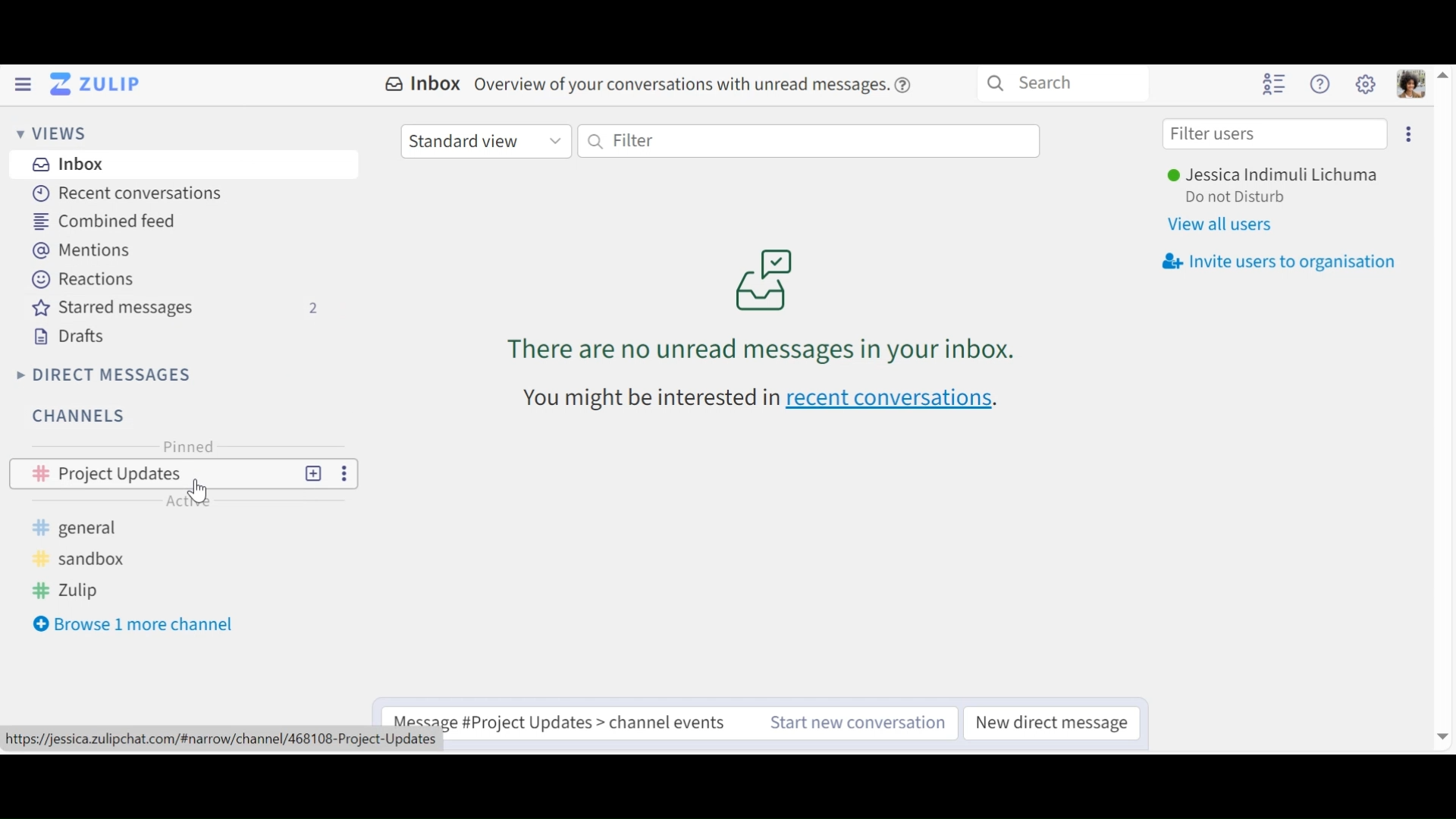 The width and height of the screenshot is (1456, 819). Describe the element at coordinates (1364, 83) in the screenshot. I see `Main menu` at that location.